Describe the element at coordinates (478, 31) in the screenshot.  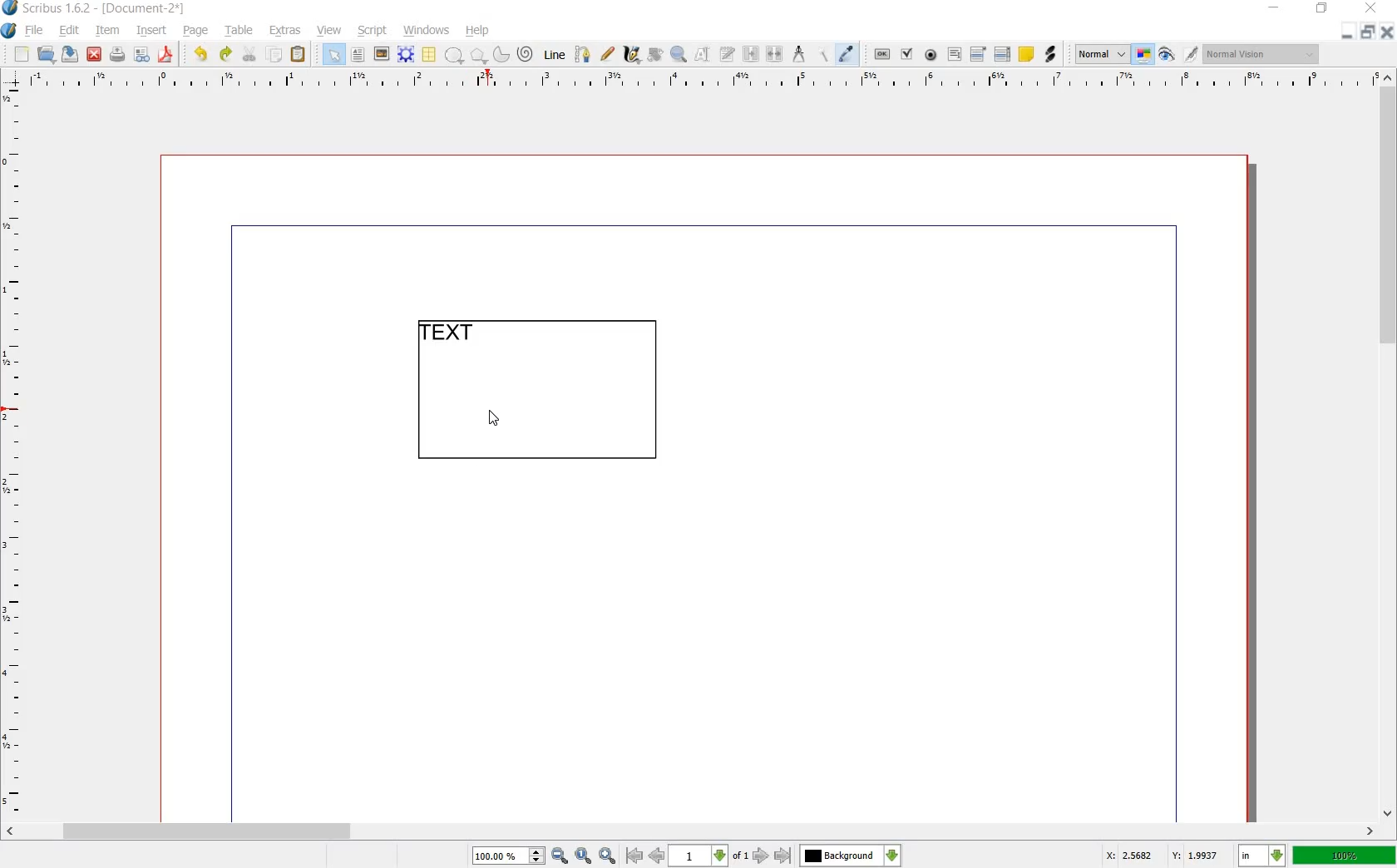
I see `help` at that location.